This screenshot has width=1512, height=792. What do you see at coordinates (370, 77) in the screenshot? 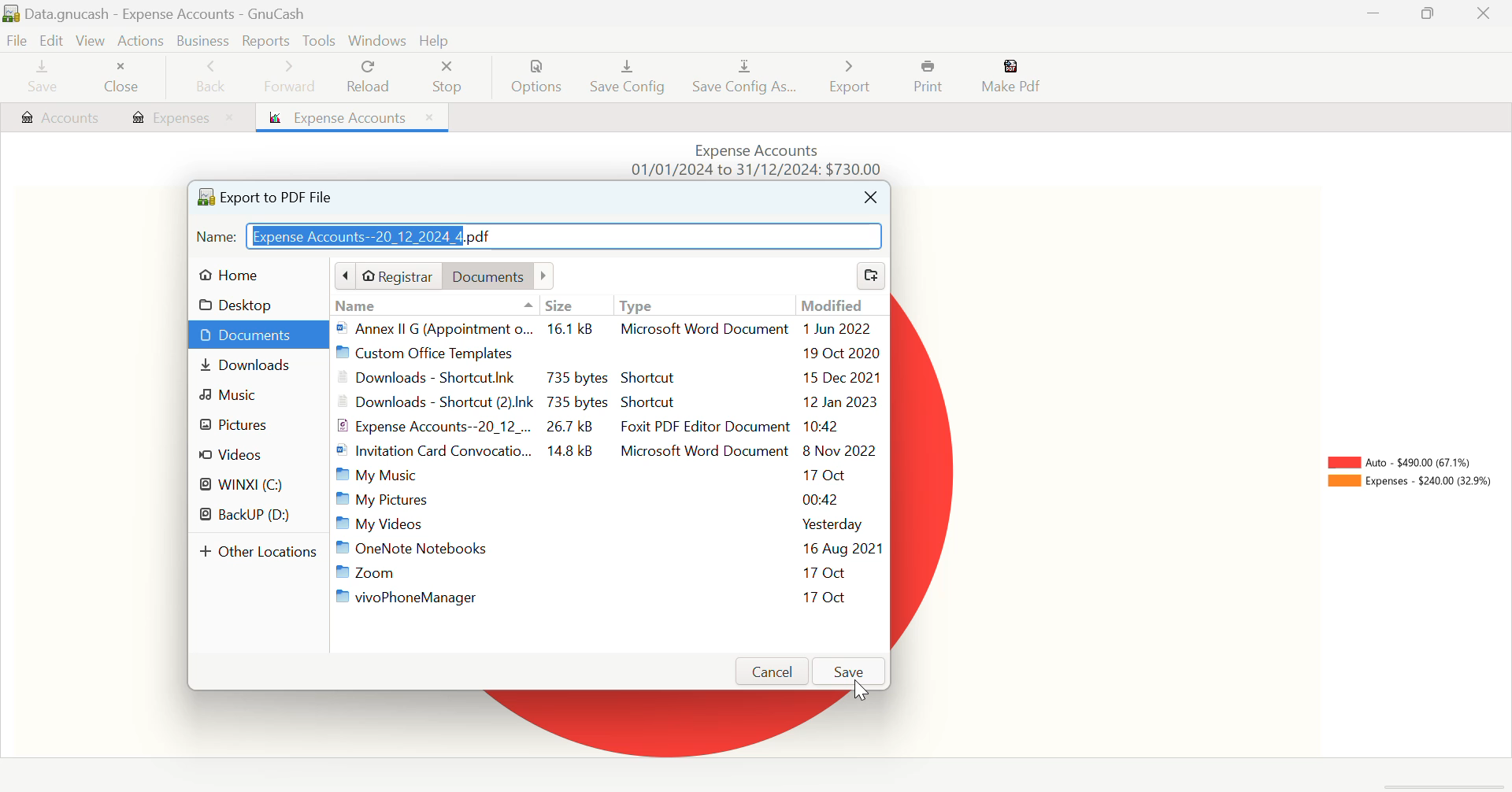
I see `Reload` at bounding box center [370, 77].